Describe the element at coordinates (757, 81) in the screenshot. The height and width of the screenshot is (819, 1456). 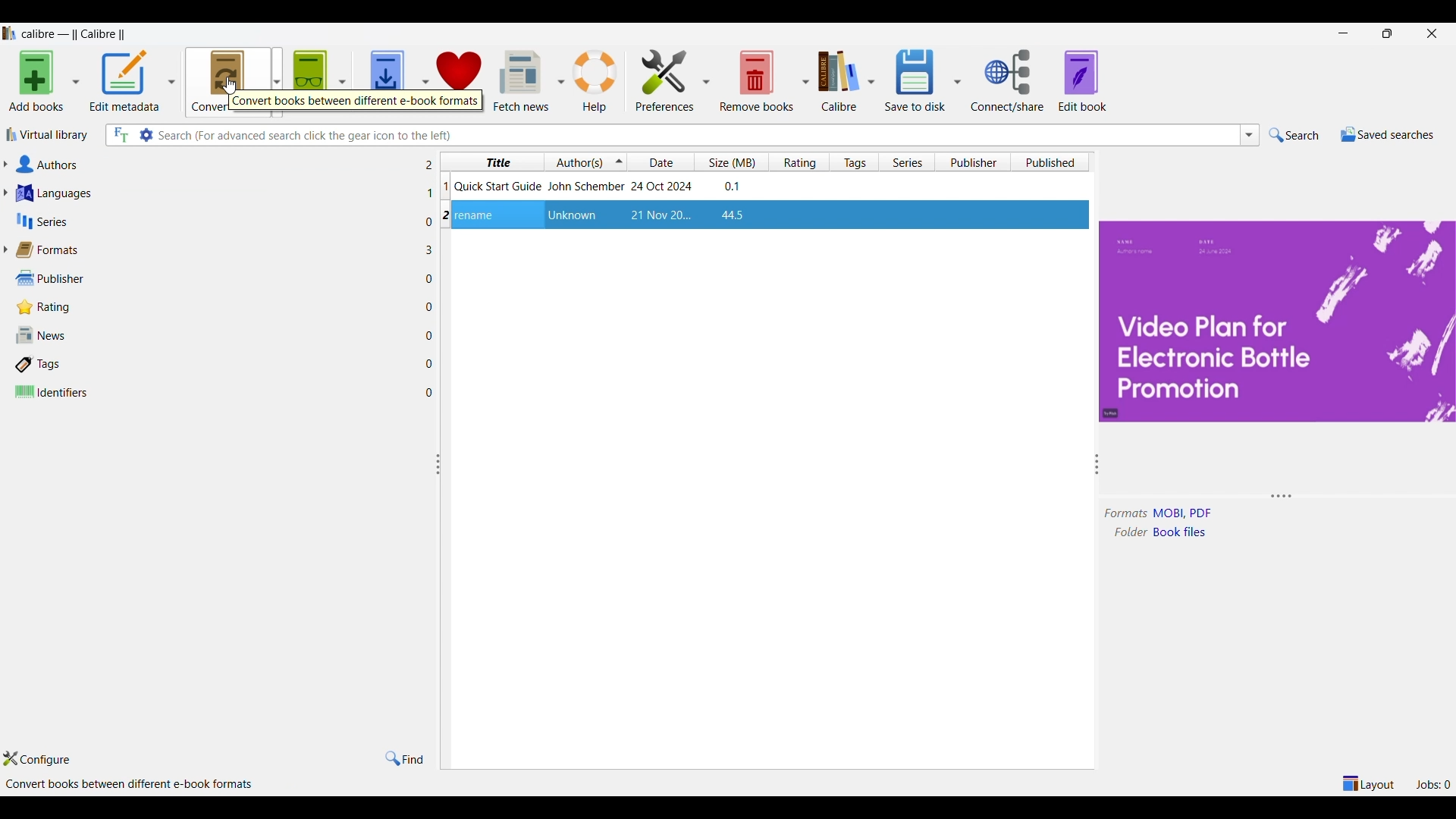
I see `Remove books` at that location.